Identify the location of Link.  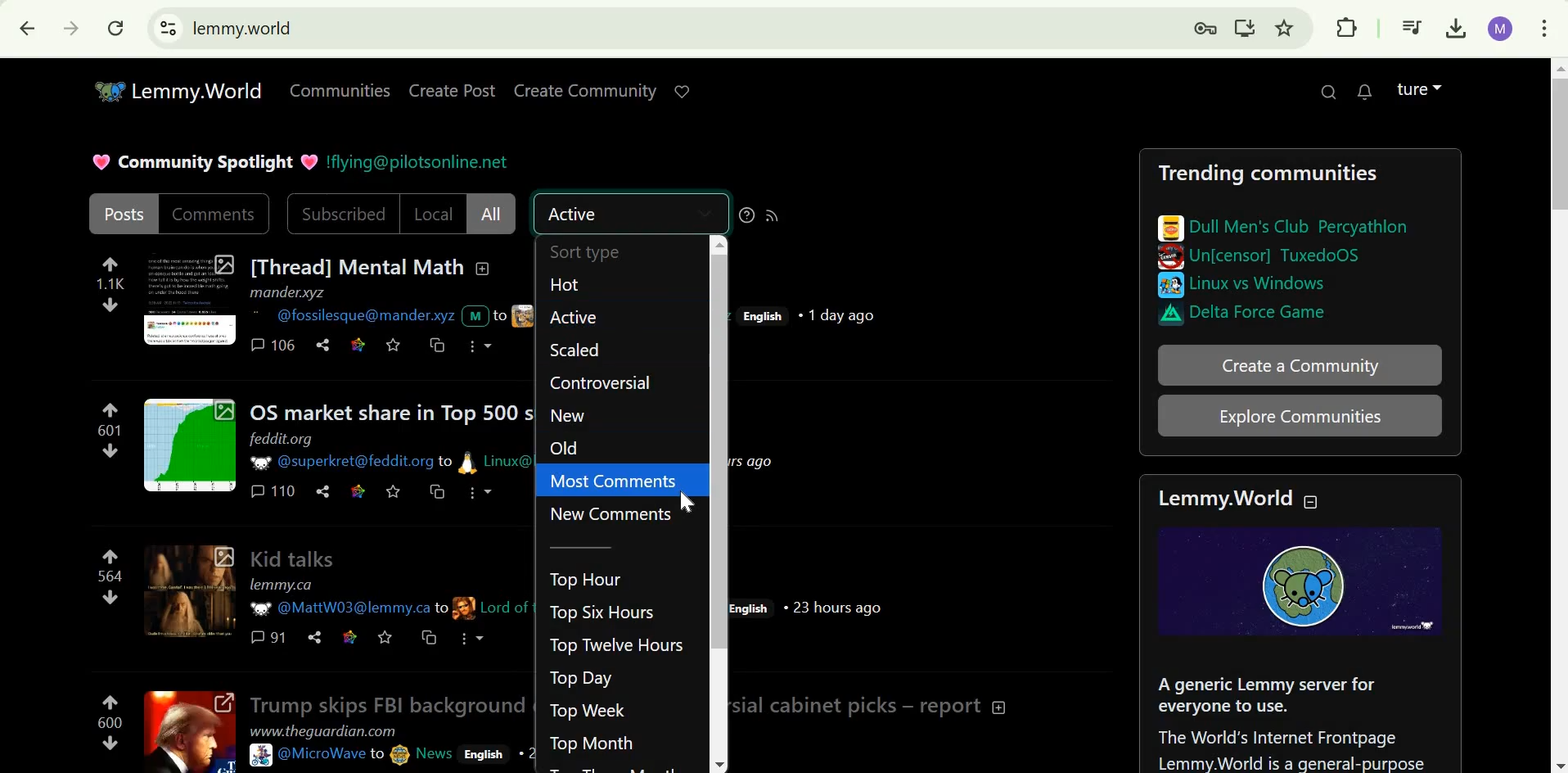
(356, 346).